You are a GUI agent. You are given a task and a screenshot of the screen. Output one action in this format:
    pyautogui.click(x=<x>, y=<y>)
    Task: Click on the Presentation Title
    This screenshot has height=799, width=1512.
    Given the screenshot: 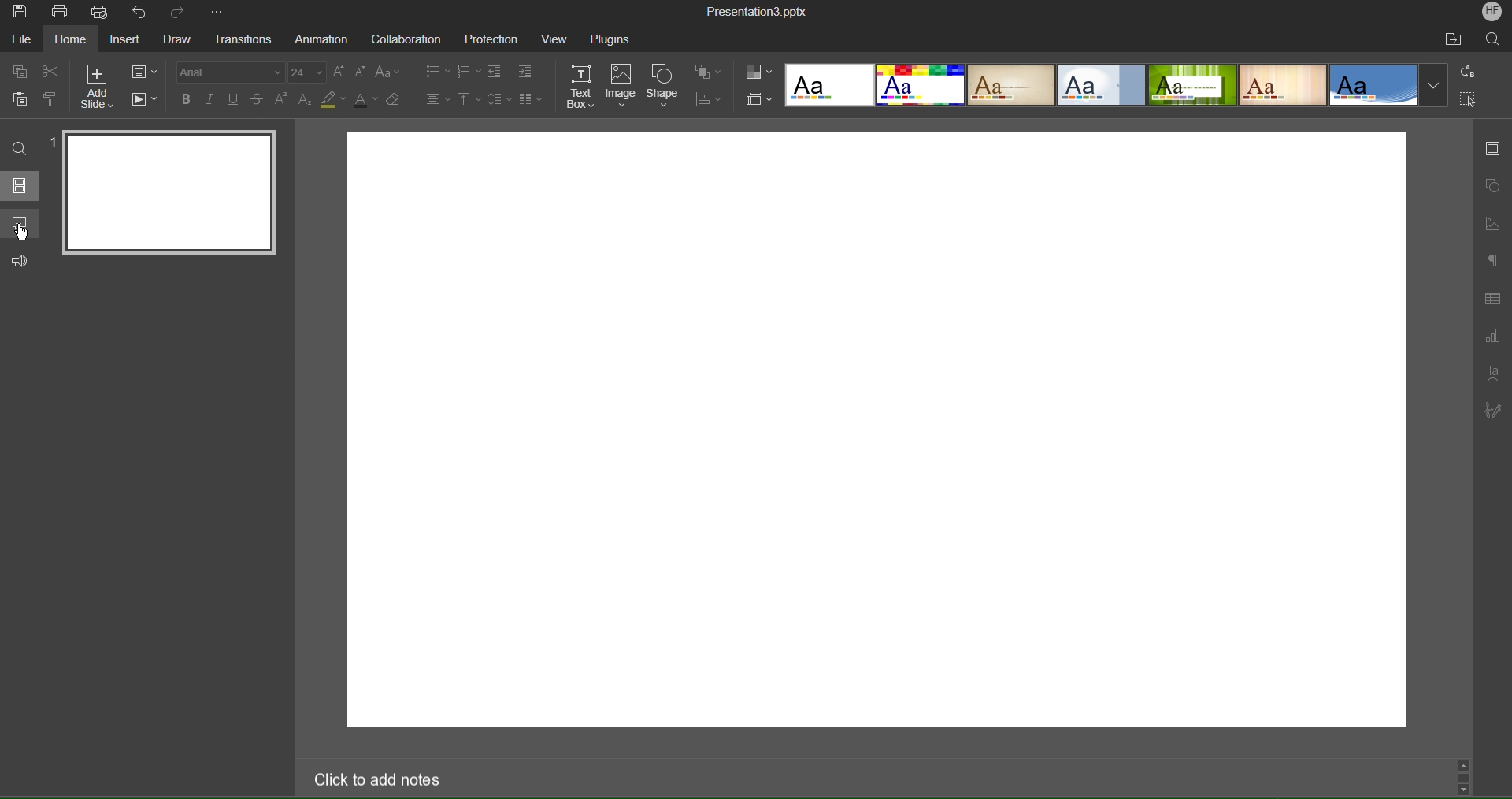 What is the action you would take?
    pyautogui.click(x=754, y=12)
    